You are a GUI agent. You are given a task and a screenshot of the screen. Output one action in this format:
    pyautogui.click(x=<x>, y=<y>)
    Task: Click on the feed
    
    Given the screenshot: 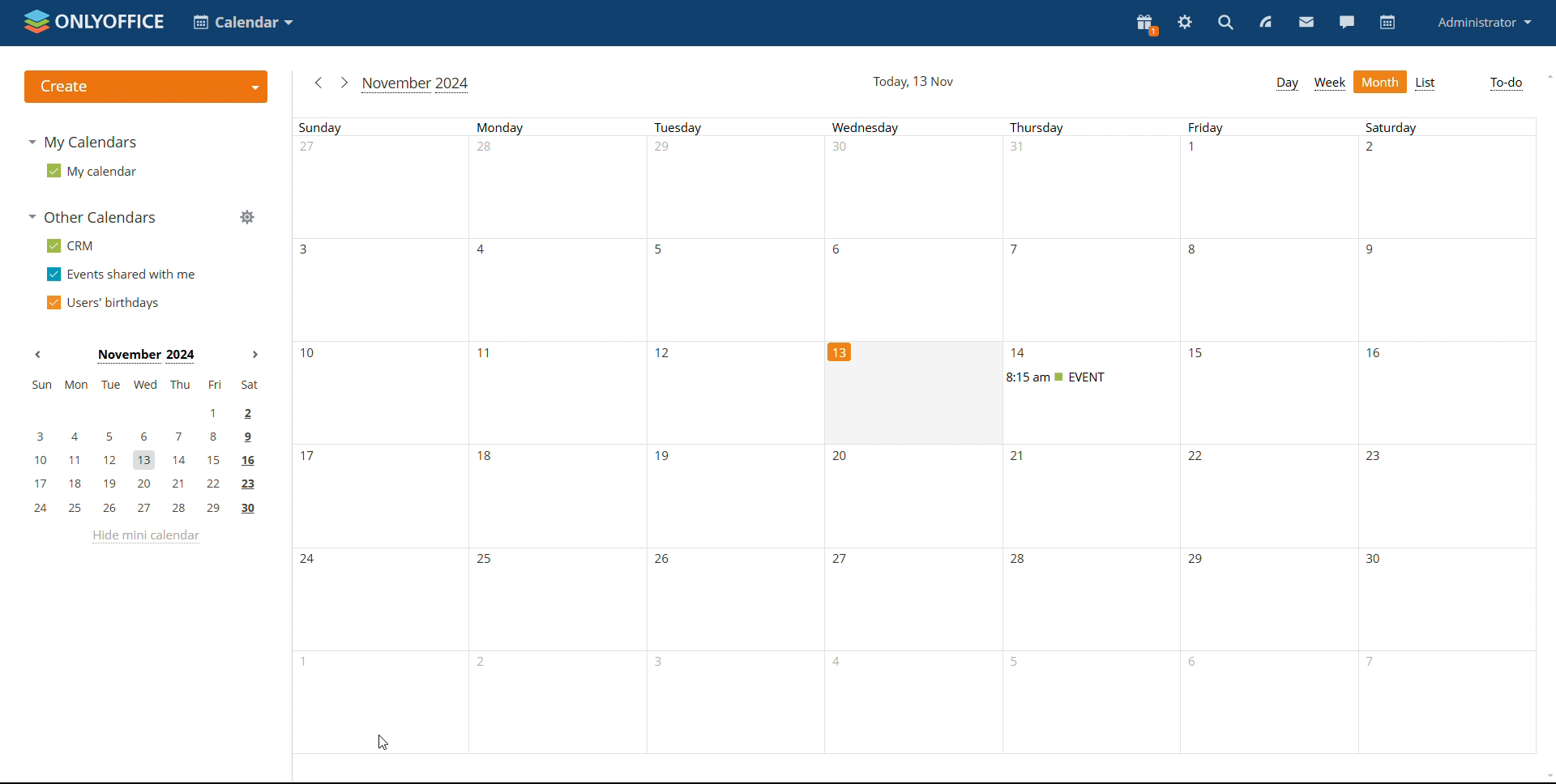 What is the action you would take?
    pyautogui.click(x=1266, y=23)
    